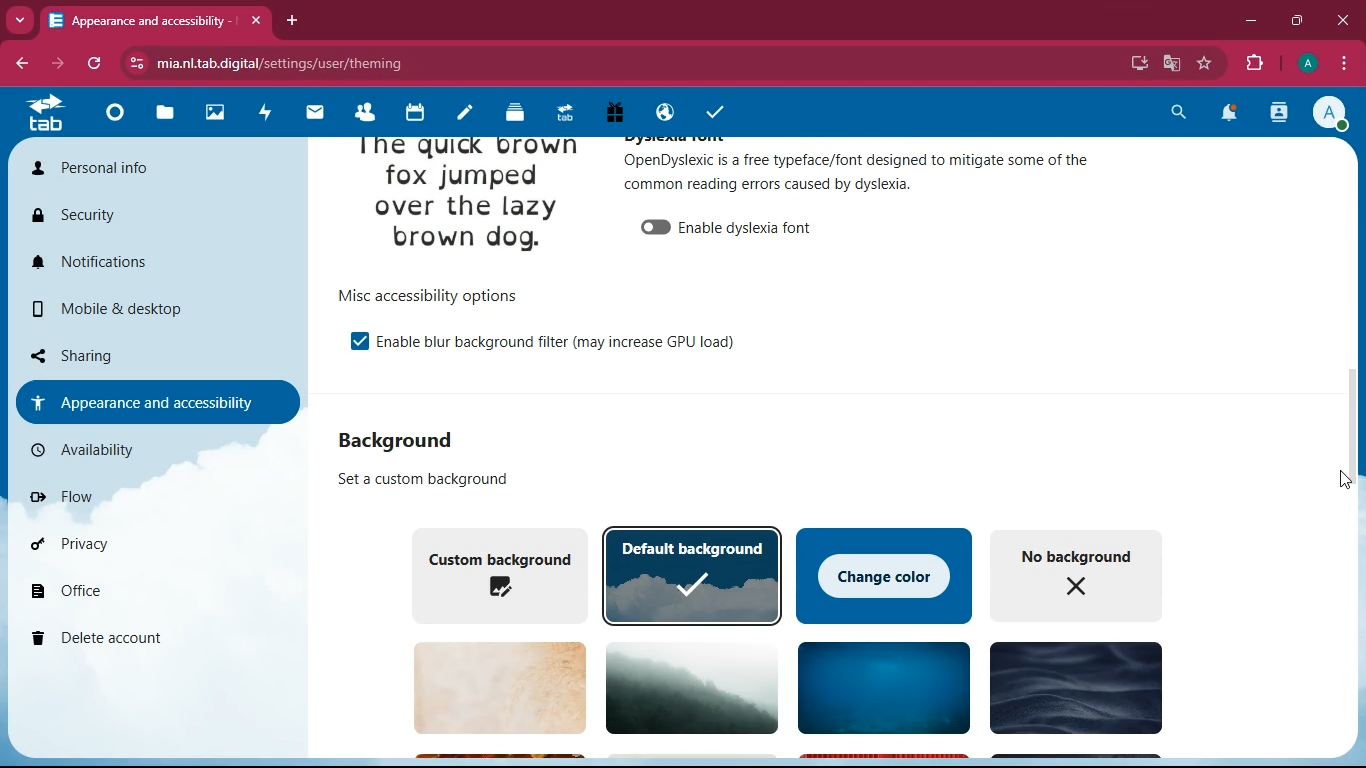 The image size is (1366, 768). I want to click on home, so click(112, 119).